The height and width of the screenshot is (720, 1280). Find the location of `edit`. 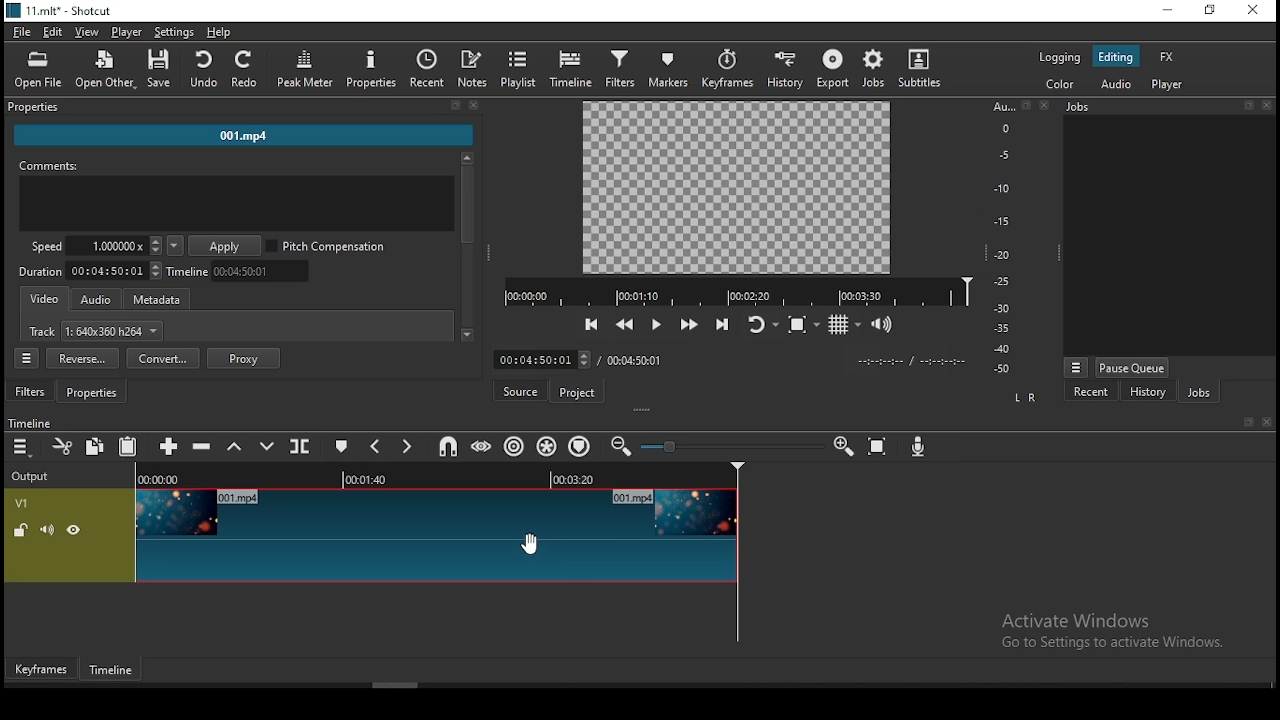

edit is located at coordinates (54, 31).